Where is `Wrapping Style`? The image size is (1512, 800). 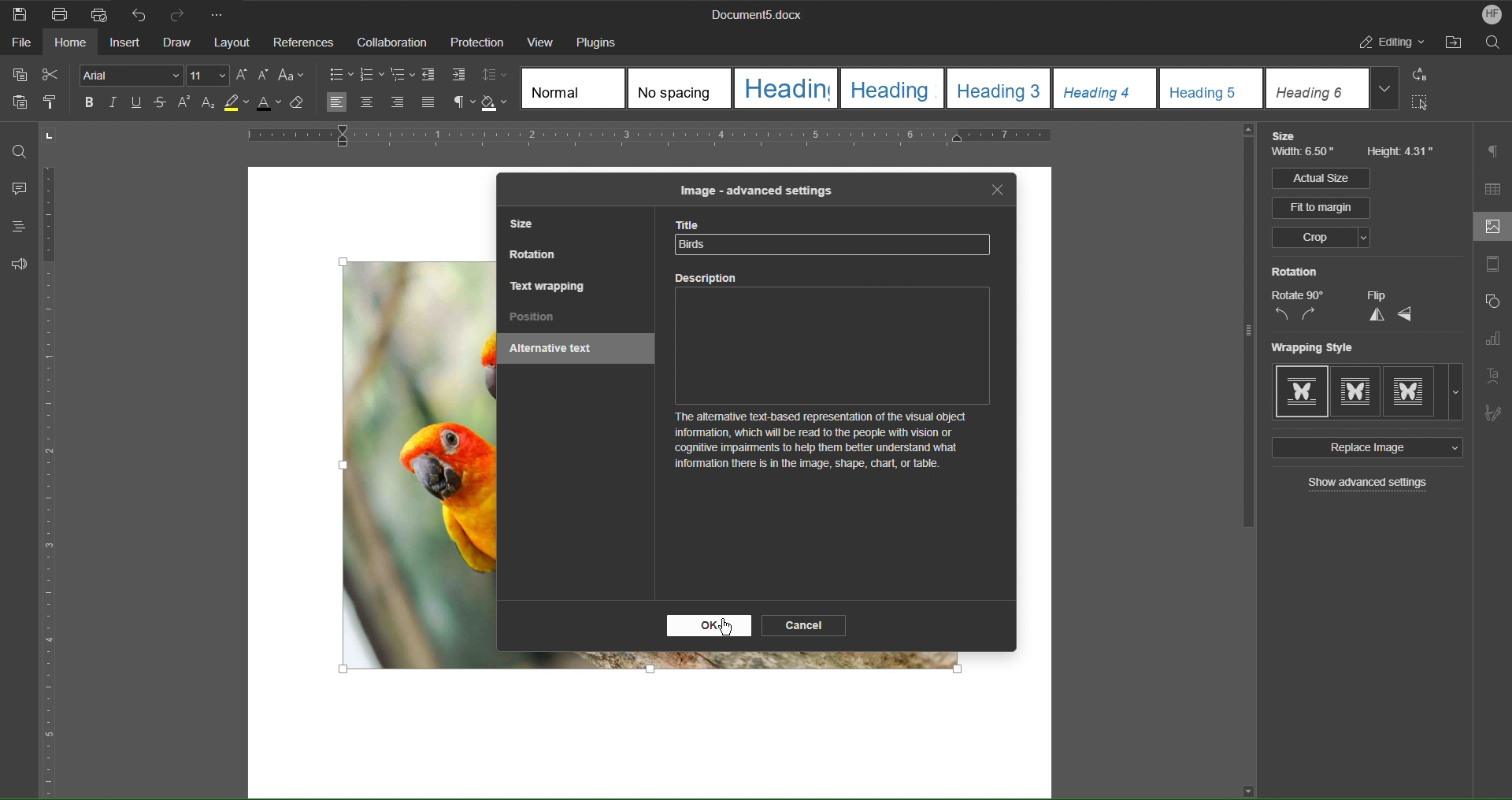 Wrapping Style is located at coordinates (1368, 392).